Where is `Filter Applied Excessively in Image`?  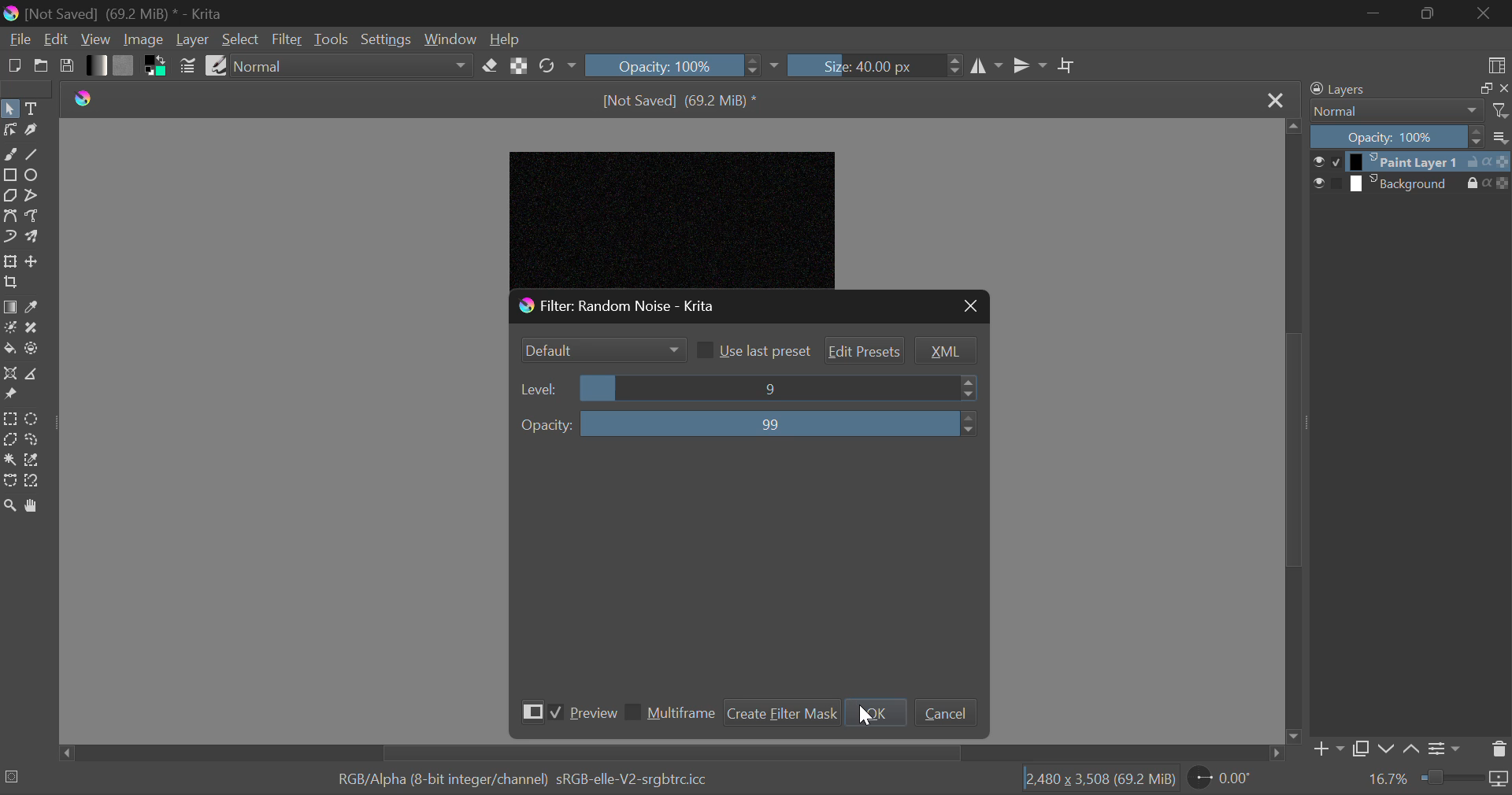 Filter Applied Excessively in Image is located at coordinates (686, 213).